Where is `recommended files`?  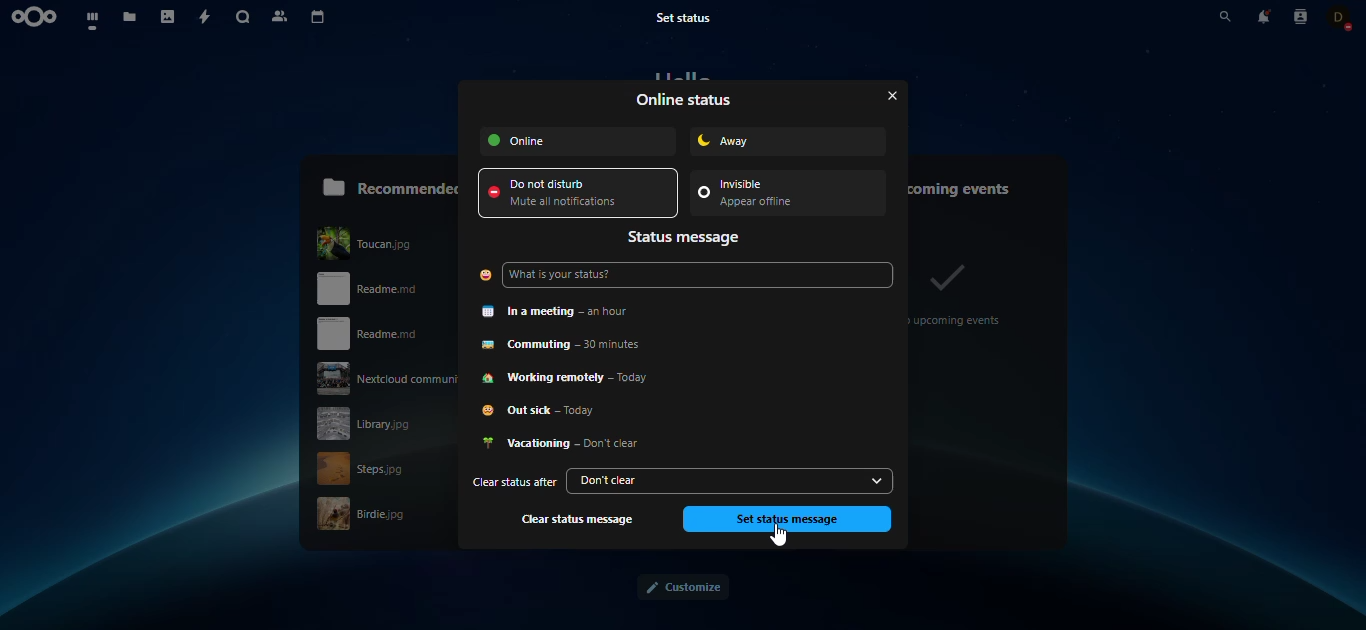
recommended files is located at coordinates (389, 185).